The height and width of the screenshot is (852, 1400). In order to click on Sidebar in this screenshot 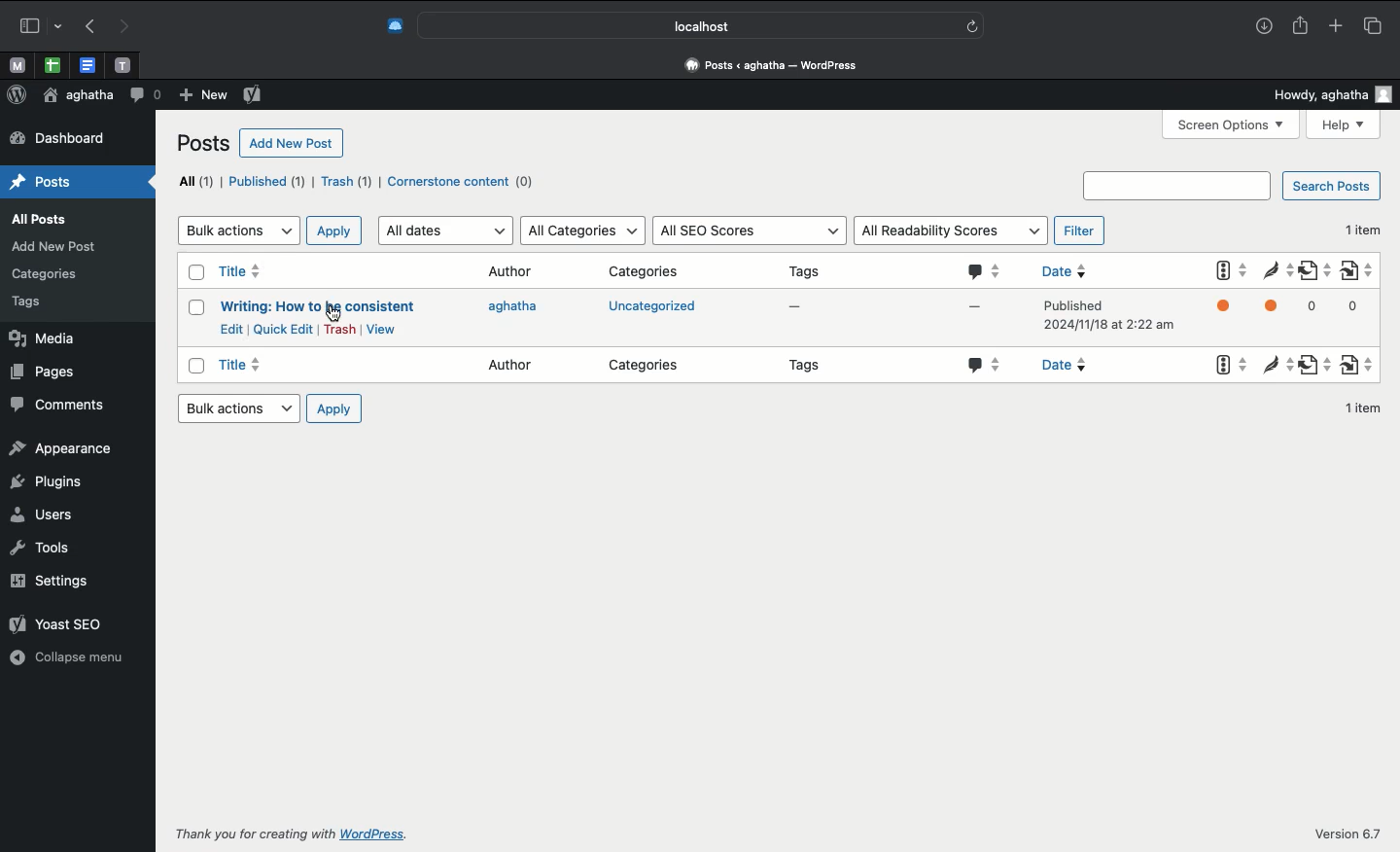, I will do `click(36, 25)`.